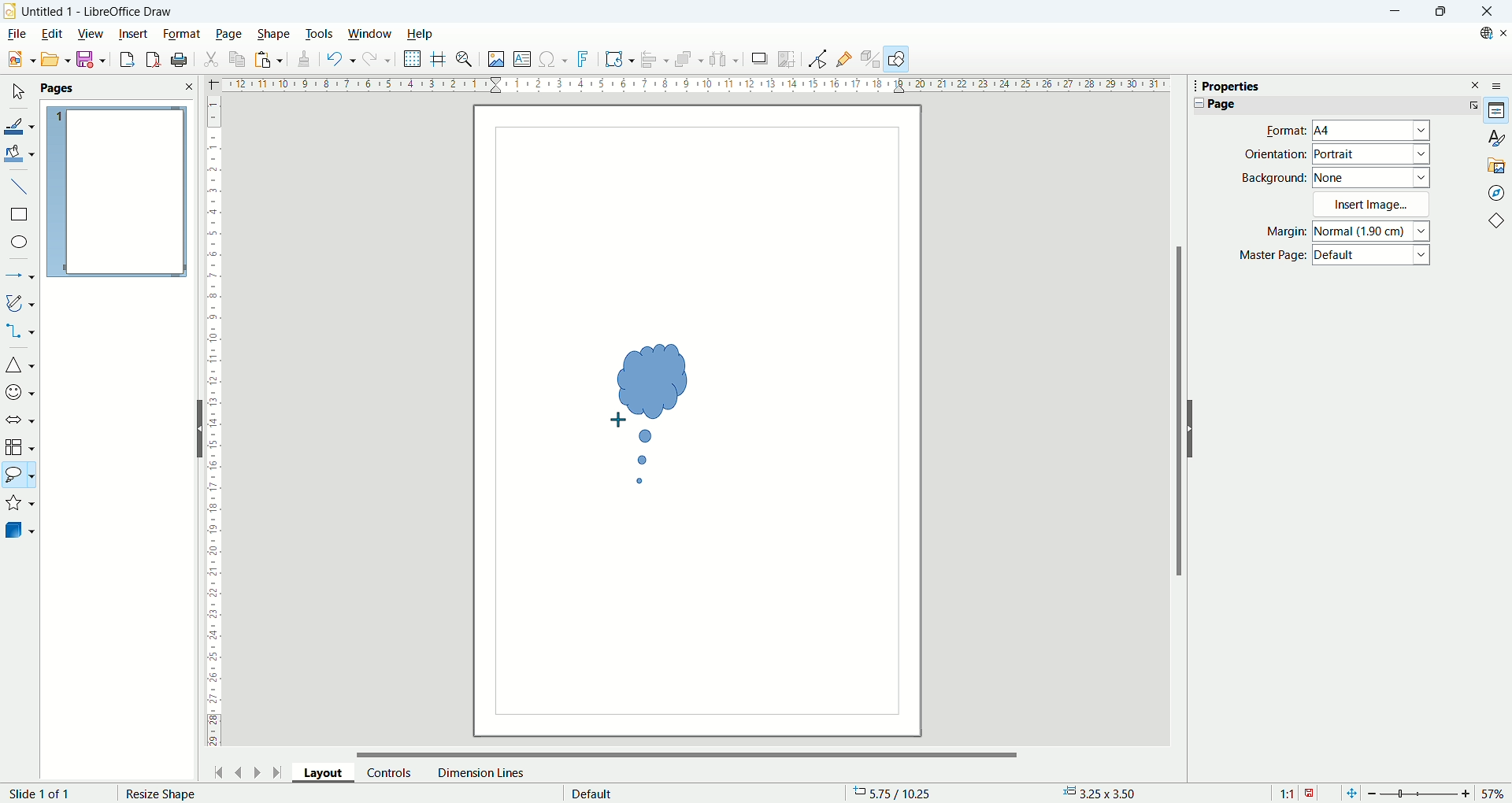  I want to click on shadow, so click(759, 59).